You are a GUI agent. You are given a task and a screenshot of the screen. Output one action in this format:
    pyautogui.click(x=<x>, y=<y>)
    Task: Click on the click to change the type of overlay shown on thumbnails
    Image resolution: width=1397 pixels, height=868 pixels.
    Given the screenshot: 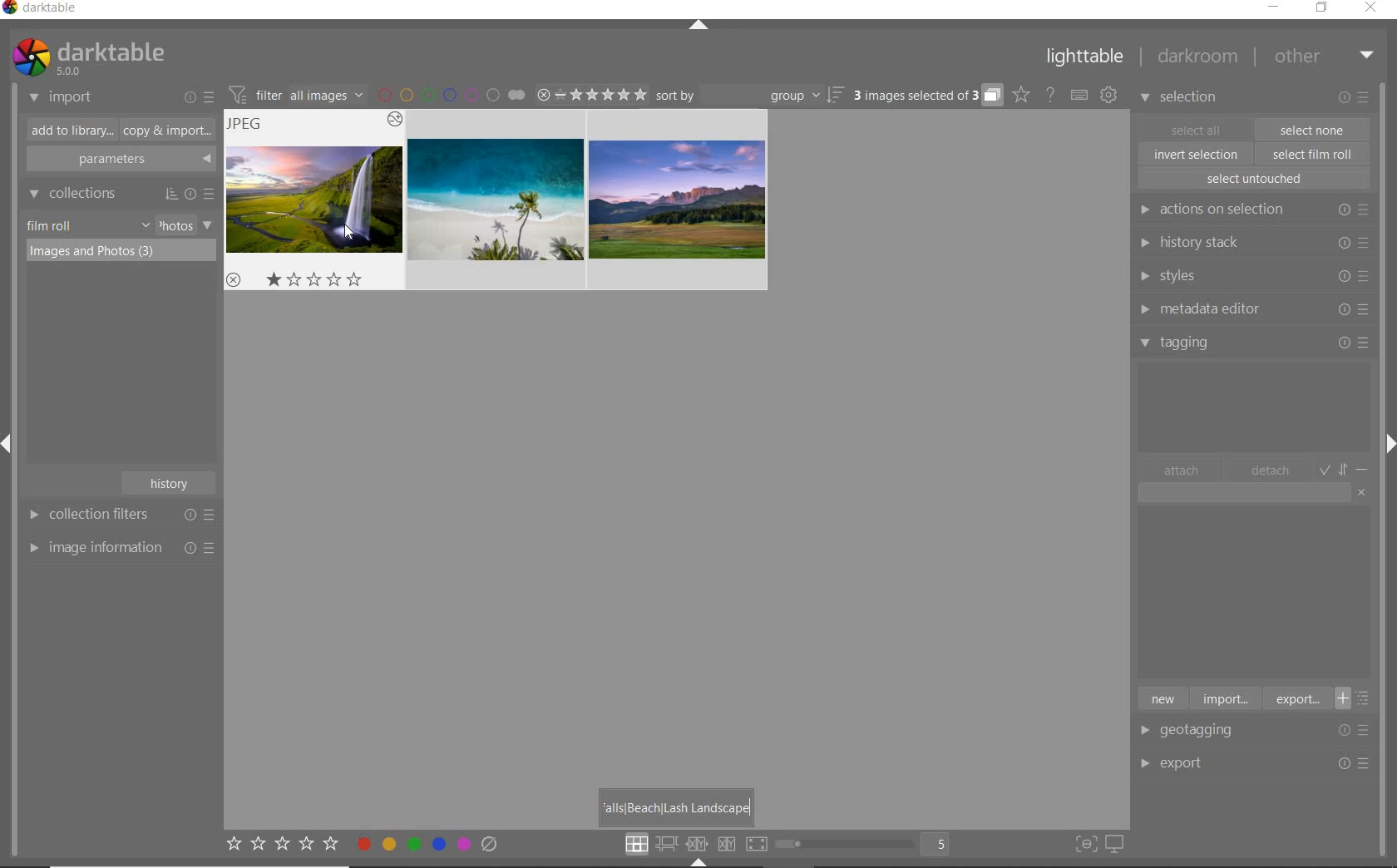 What is the action you would take?
    pyautogui.click(x=1022, y=95)
    